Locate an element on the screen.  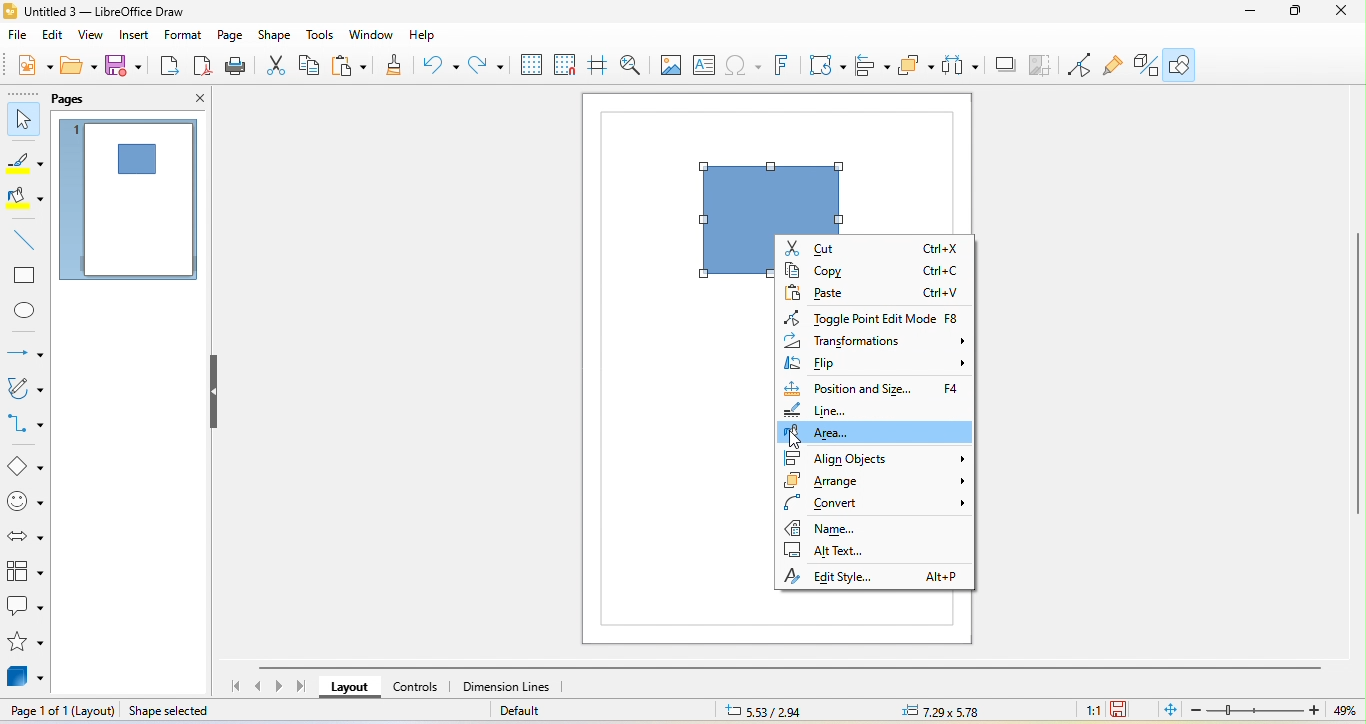
3d object is located at coordinates (24, 677).